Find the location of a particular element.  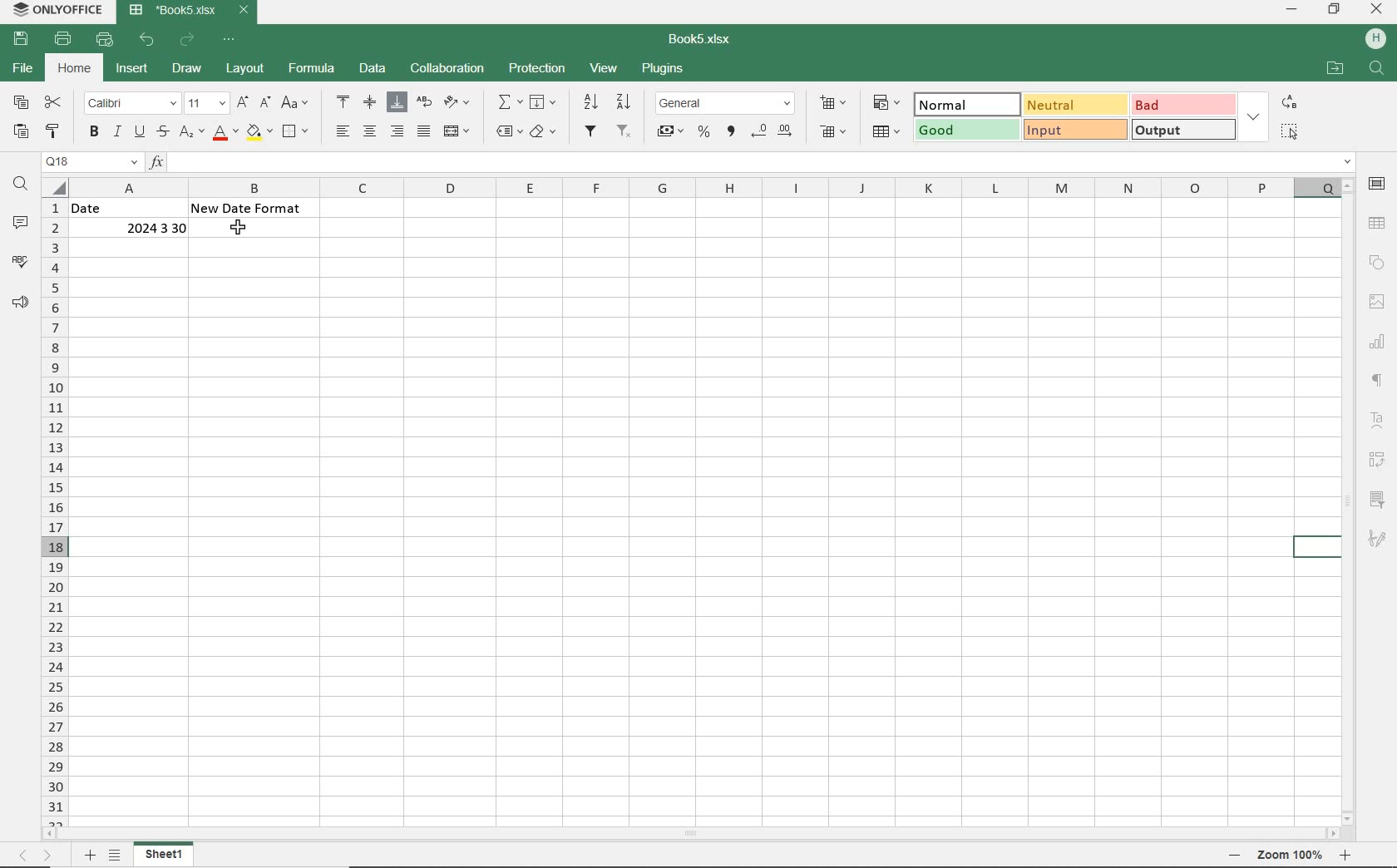

CHART is located at coordinates (1380, 339).